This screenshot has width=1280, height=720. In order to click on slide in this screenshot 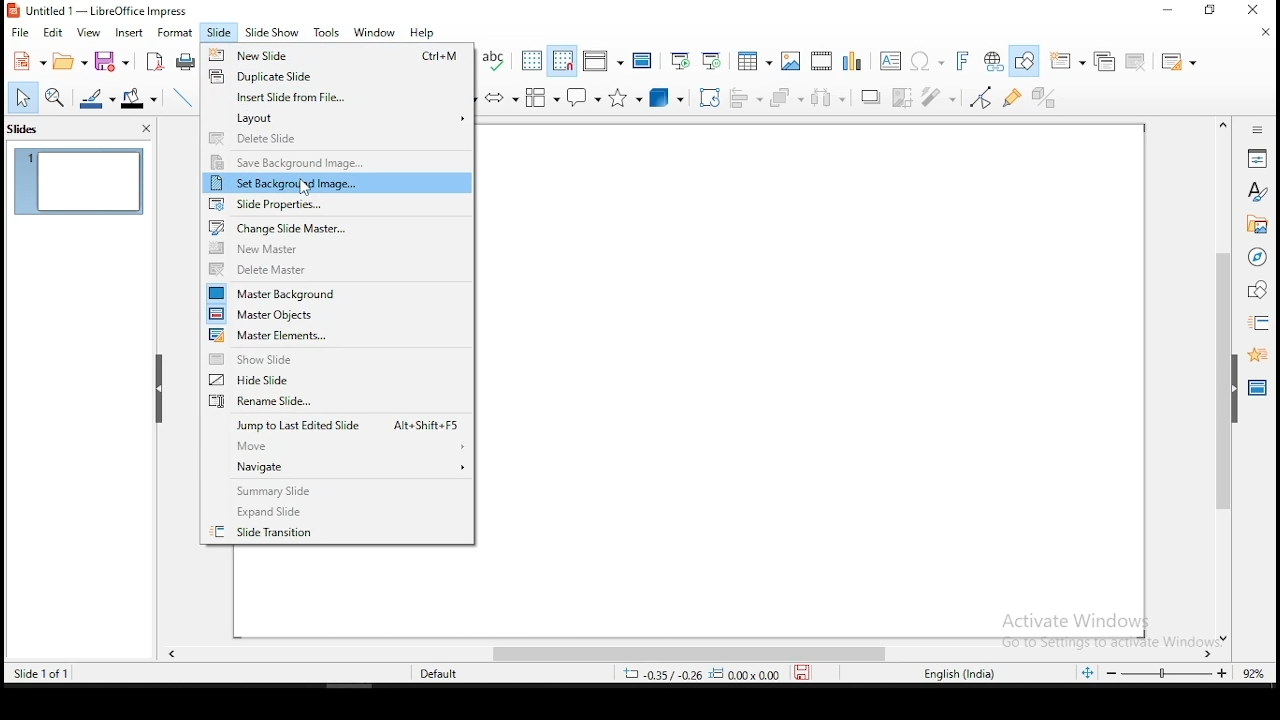, I will do `click(218, 32)`.